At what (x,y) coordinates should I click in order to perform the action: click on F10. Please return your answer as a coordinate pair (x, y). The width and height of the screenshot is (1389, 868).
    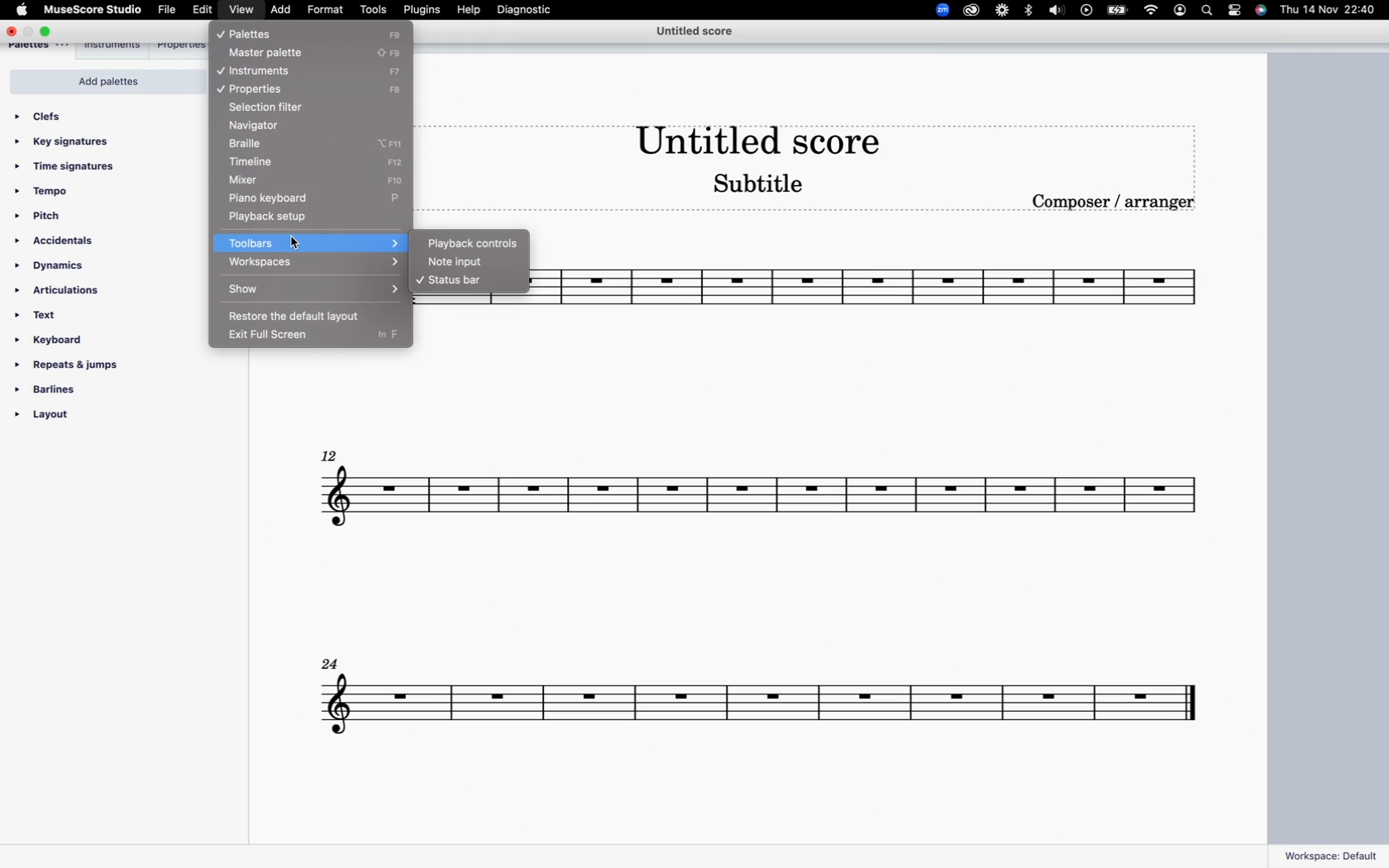
    Looking at the image, I should click on (399, 180).